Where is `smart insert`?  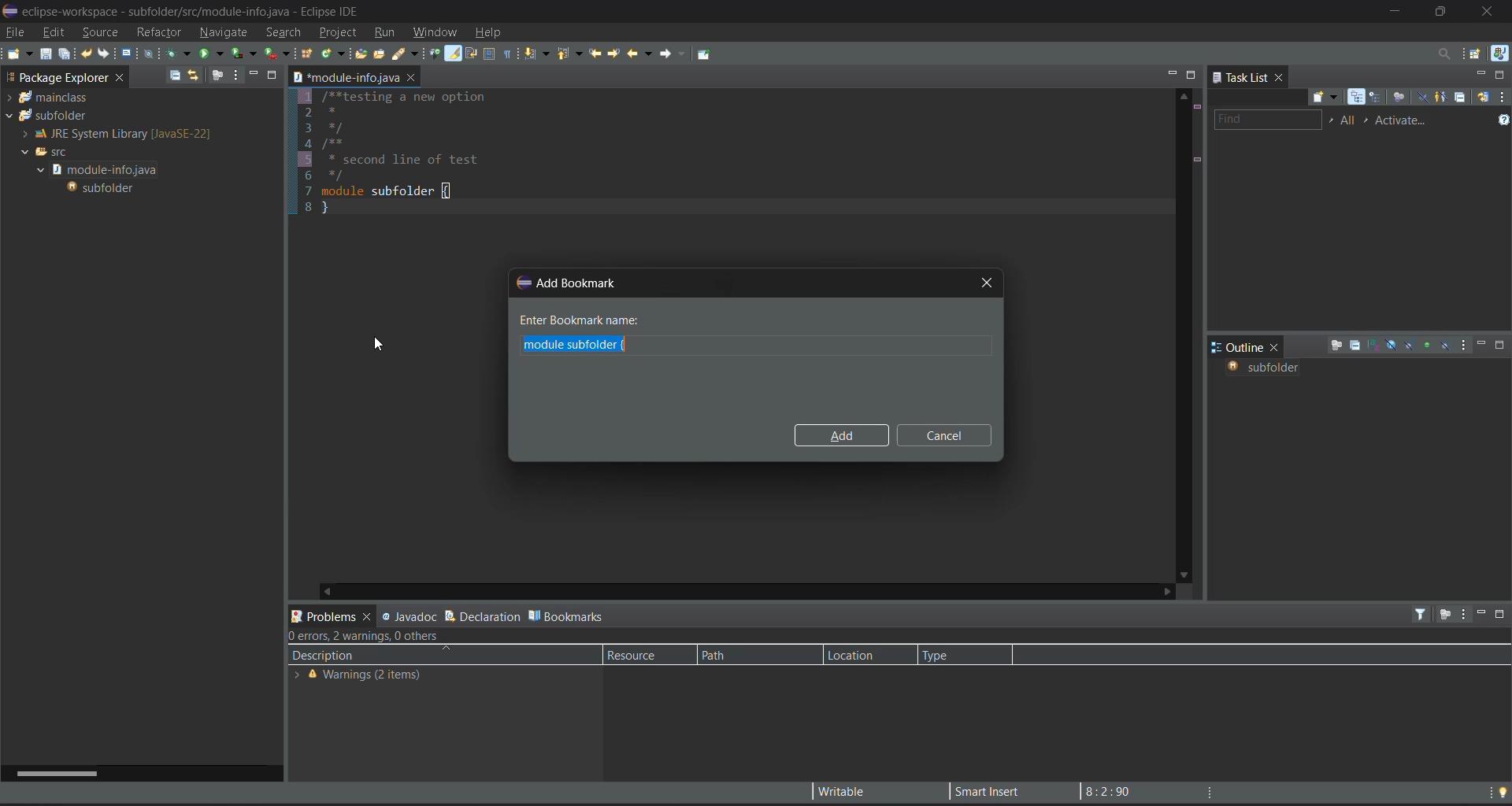 smart insert is located at coordinates (983, 791).